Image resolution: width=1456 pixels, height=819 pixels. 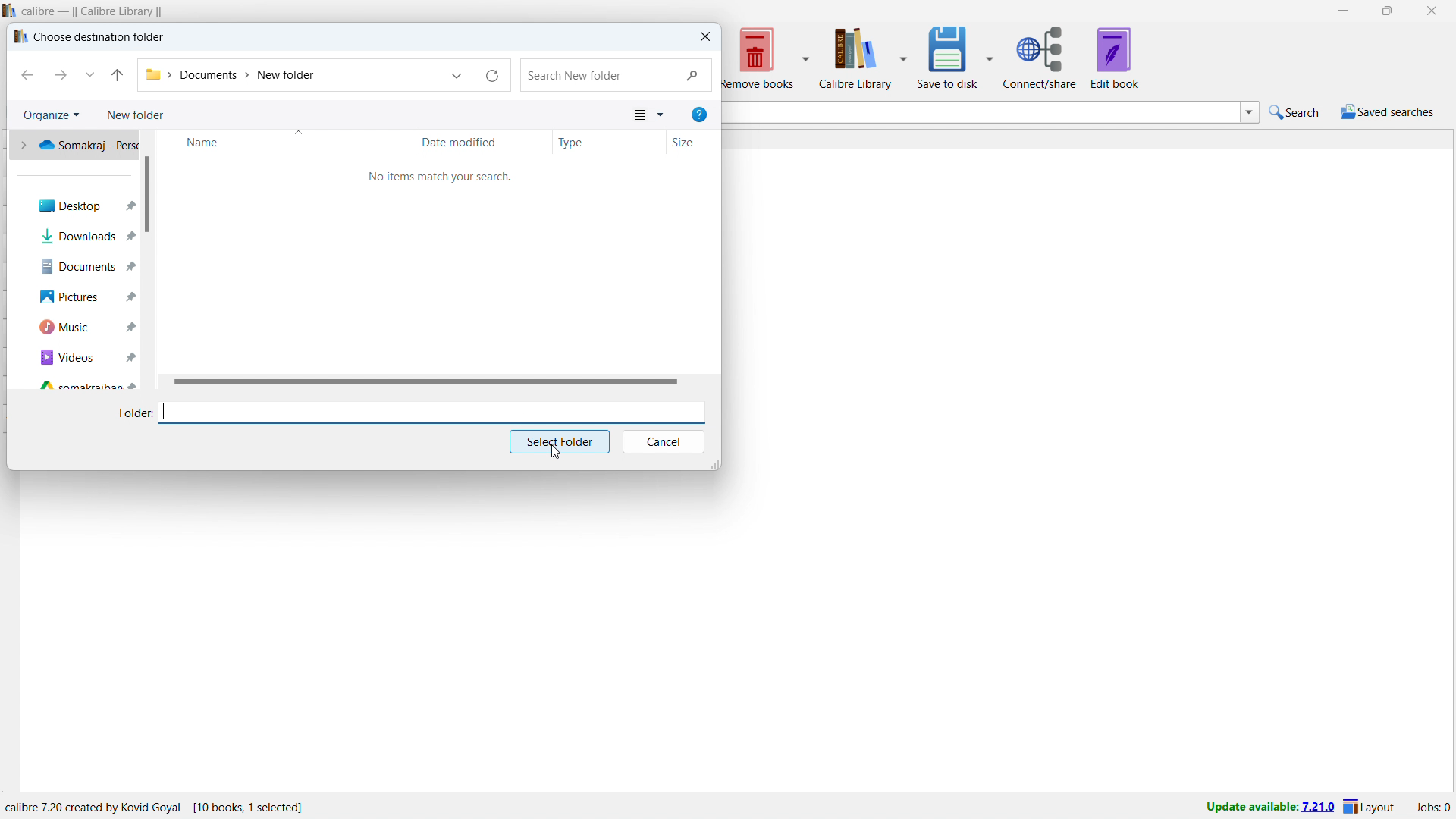 I want to click on new folder, so click(x=134, y=115).